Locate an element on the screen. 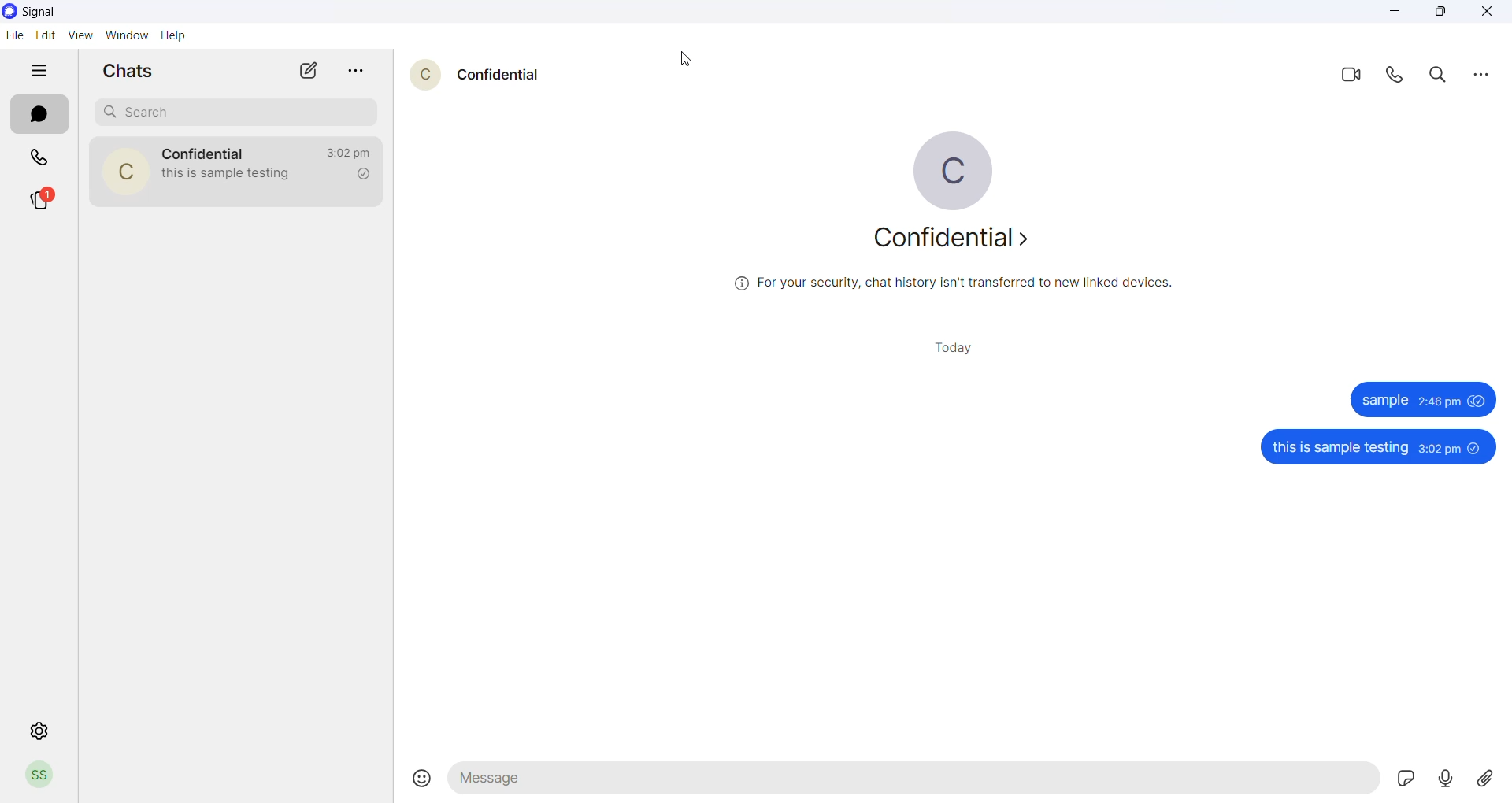  message text area is located at coordinates (913, 782).